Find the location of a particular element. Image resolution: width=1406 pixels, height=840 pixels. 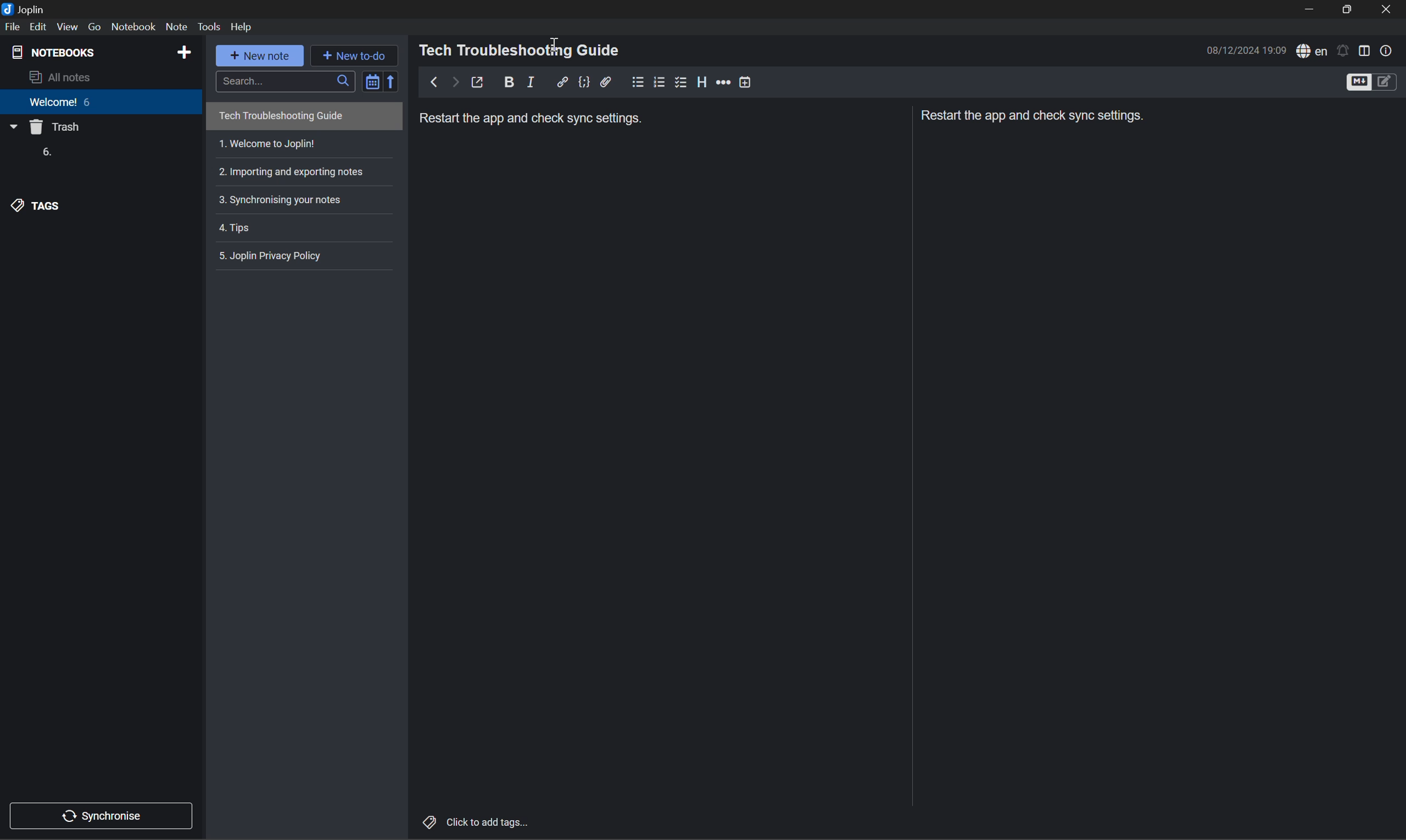

NOTEBOOKS is located at coordinates (55, 50).